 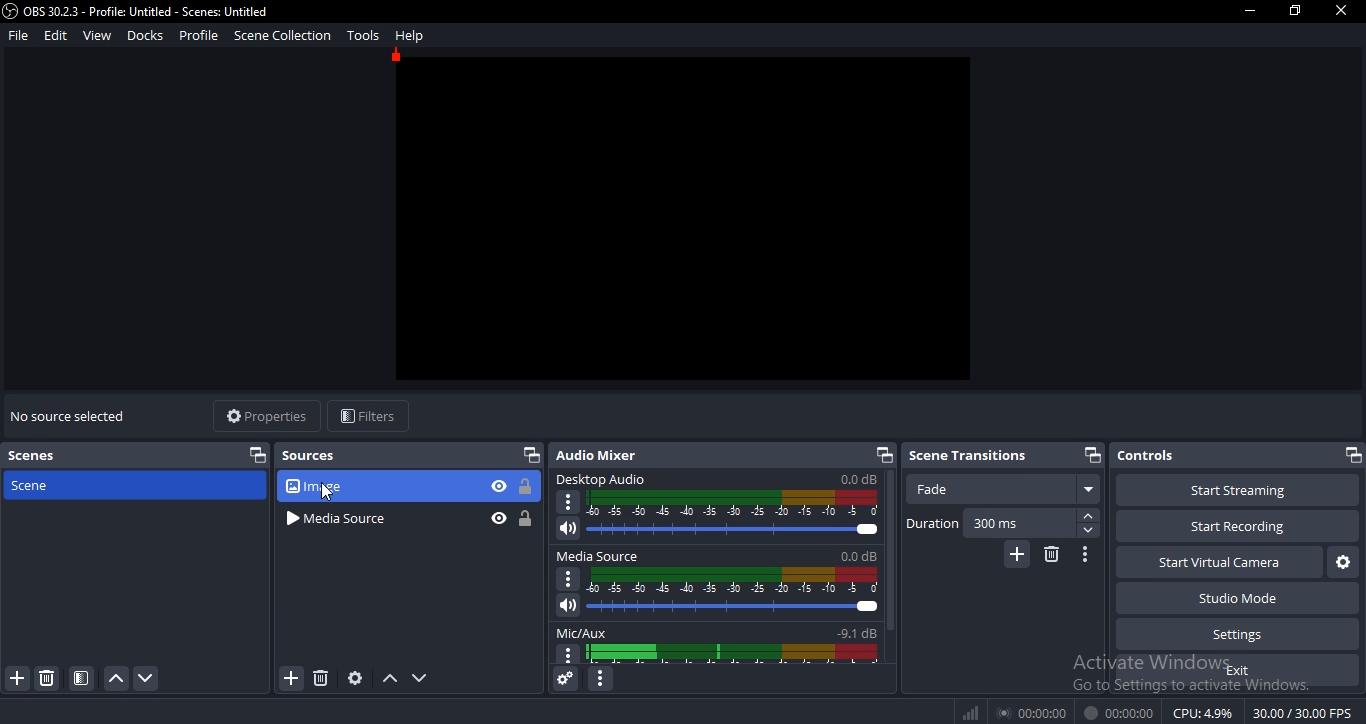 What do you see at coordinates (718, 557) in the screenshot?
I see `media source` at bounding box center [718, 557].